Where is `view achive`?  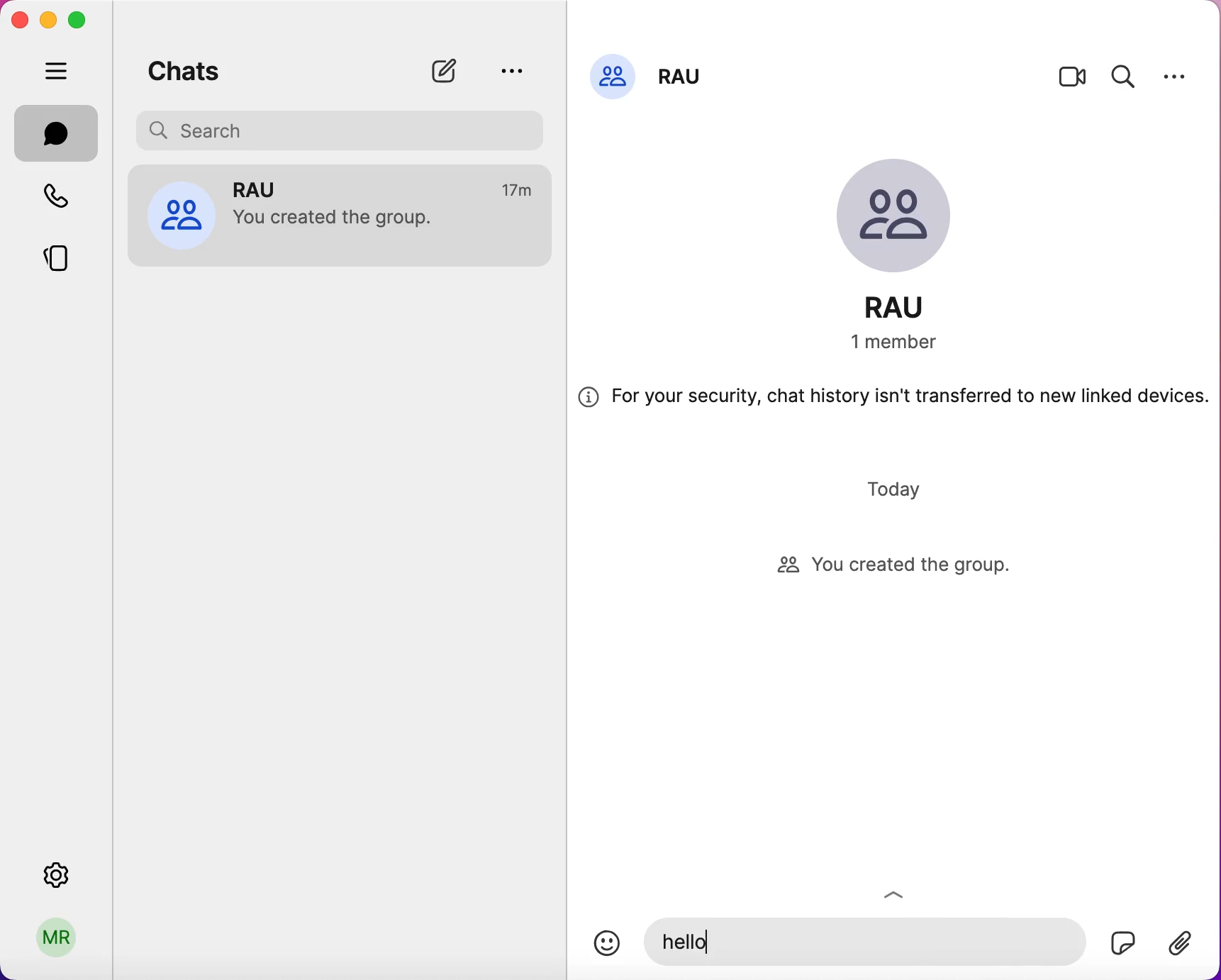 view achive is located at coordinates (511, 70).